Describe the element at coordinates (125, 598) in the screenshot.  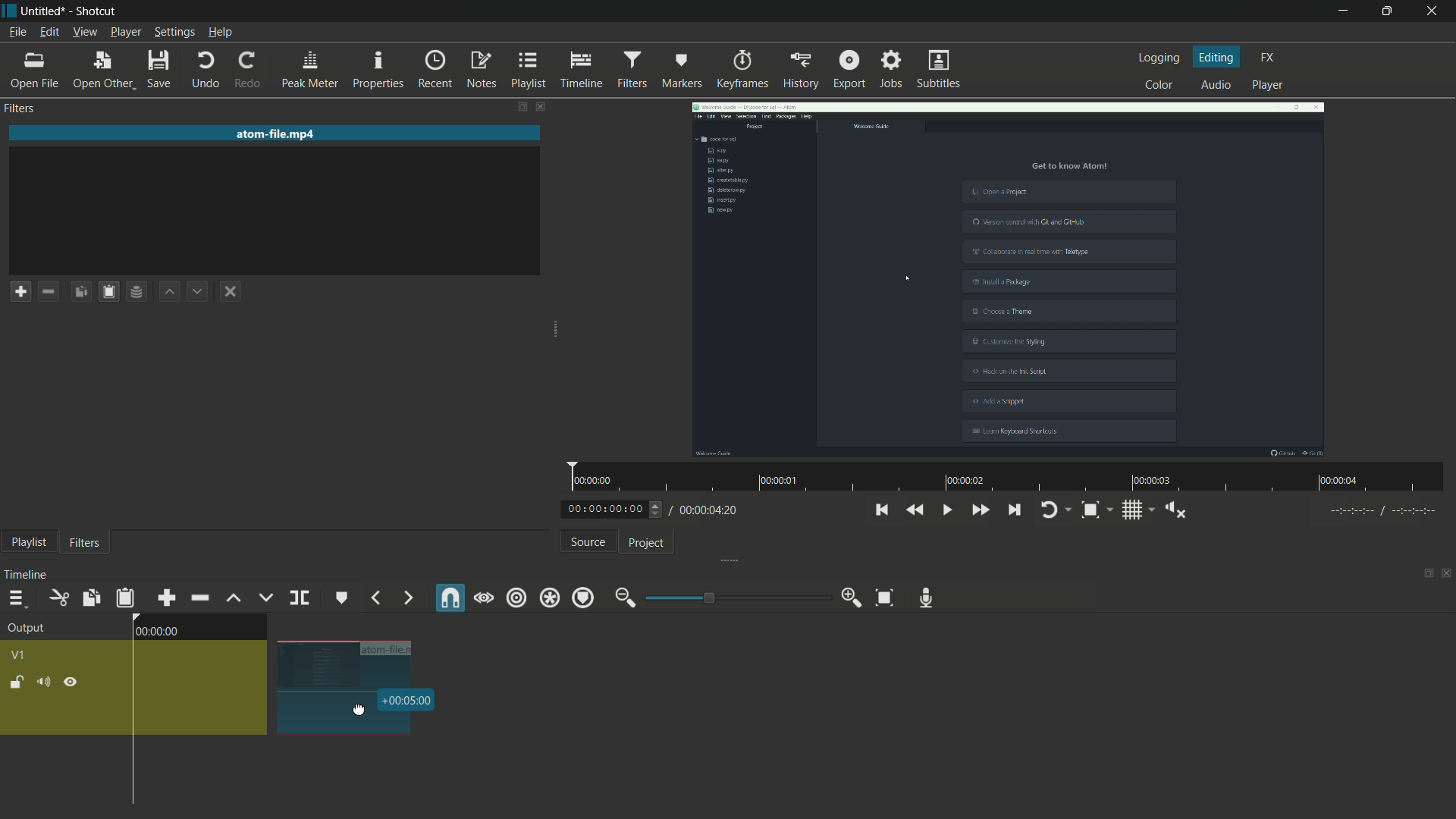
I see `paste` at that location.